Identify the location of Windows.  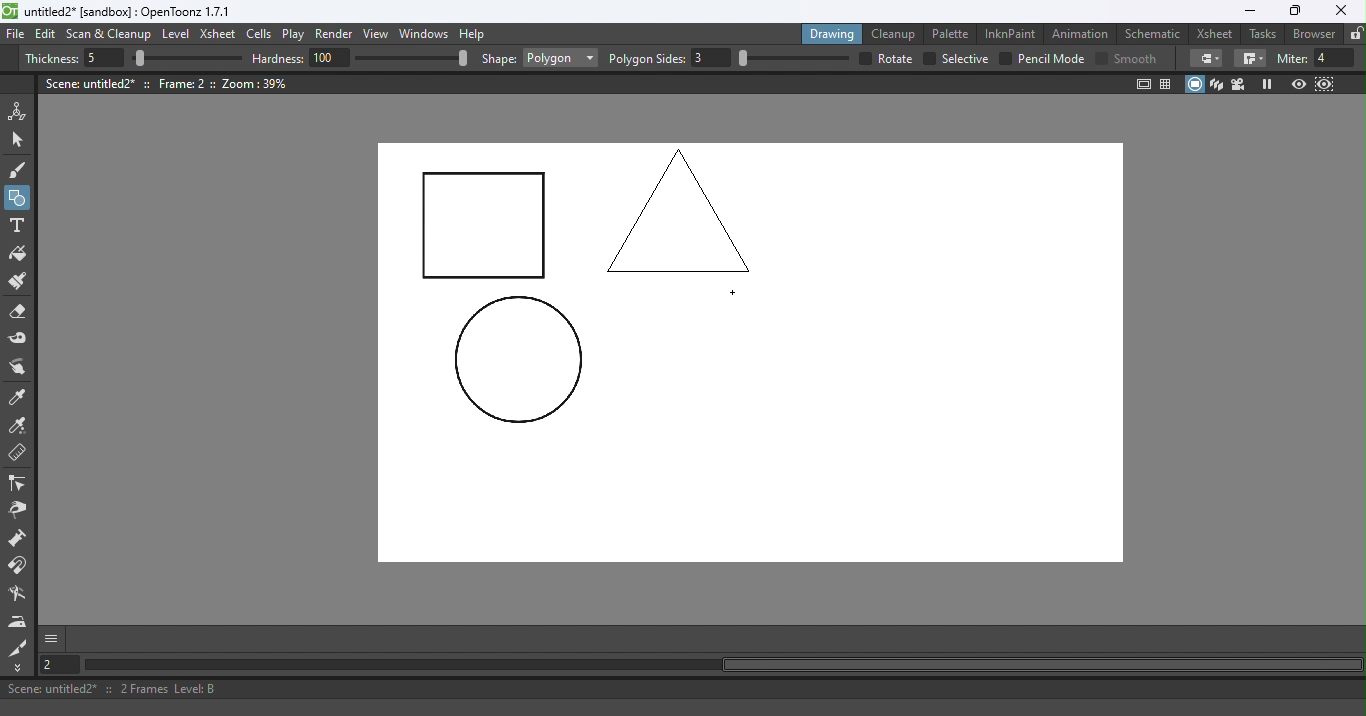
(425, 35).